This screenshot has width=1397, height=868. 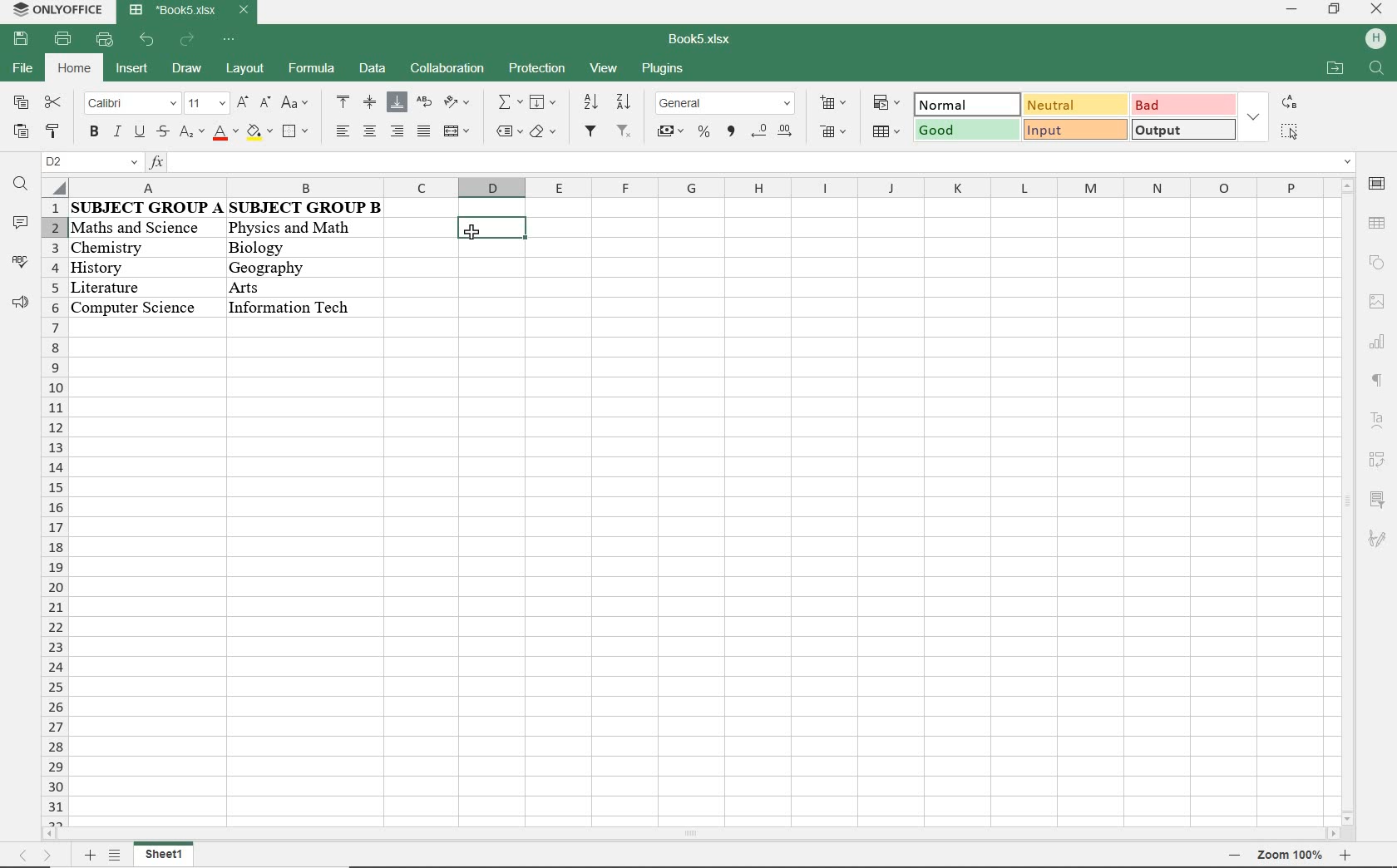 I want to click on undo, so click(x=148, y=41).